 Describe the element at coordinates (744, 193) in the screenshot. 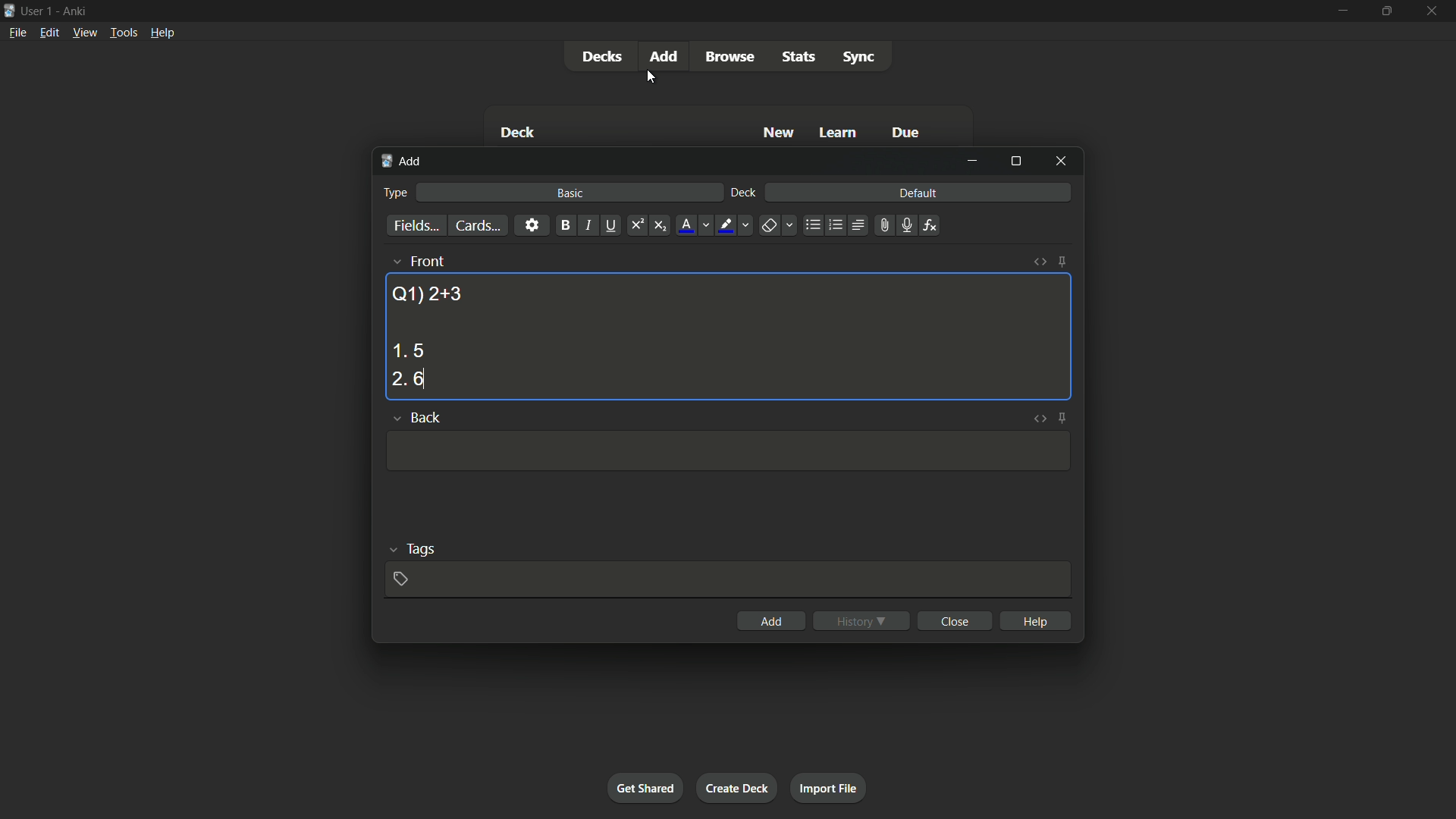

I see `deck` at that location.